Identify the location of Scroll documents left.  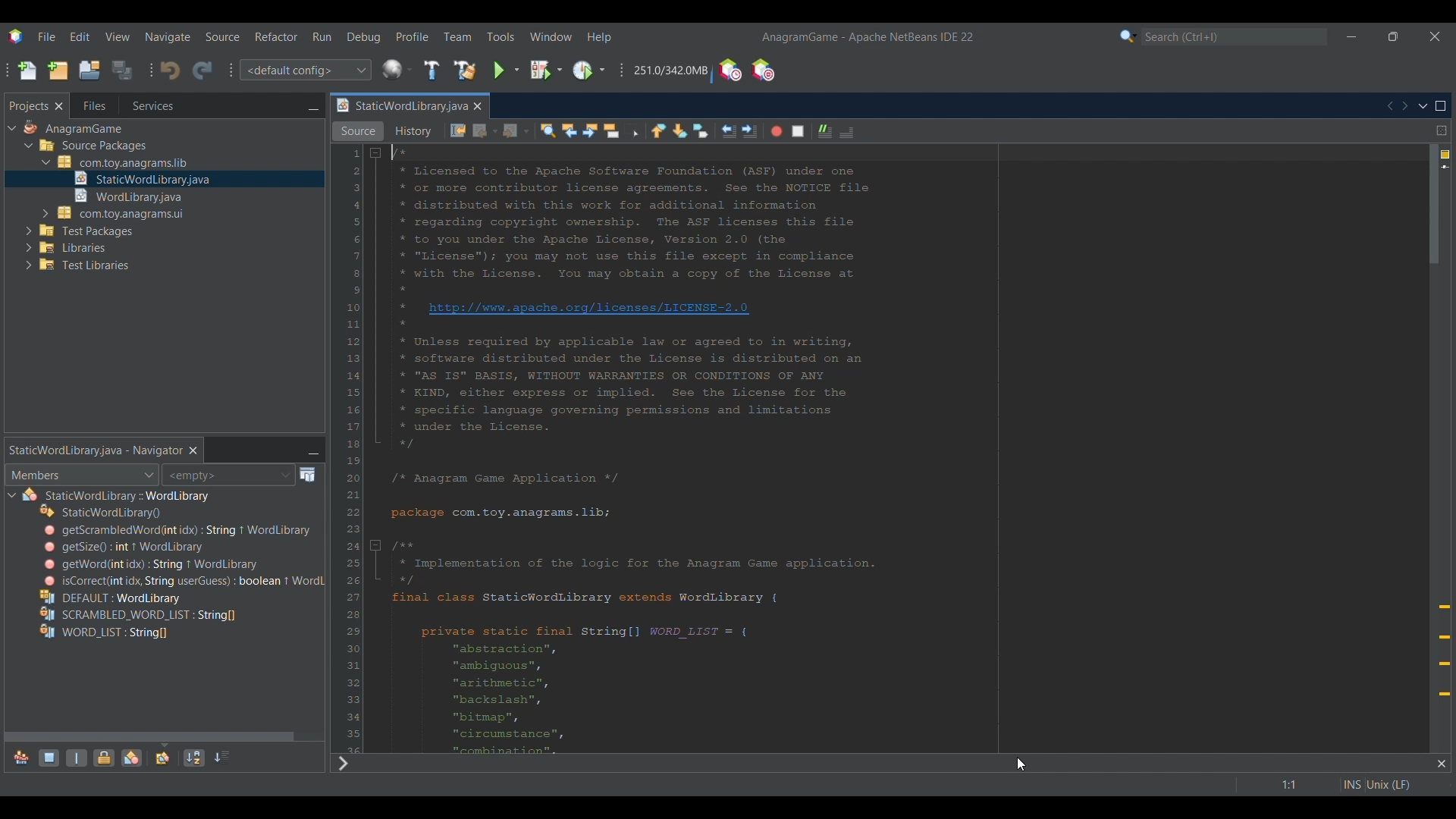
(1391, 105).